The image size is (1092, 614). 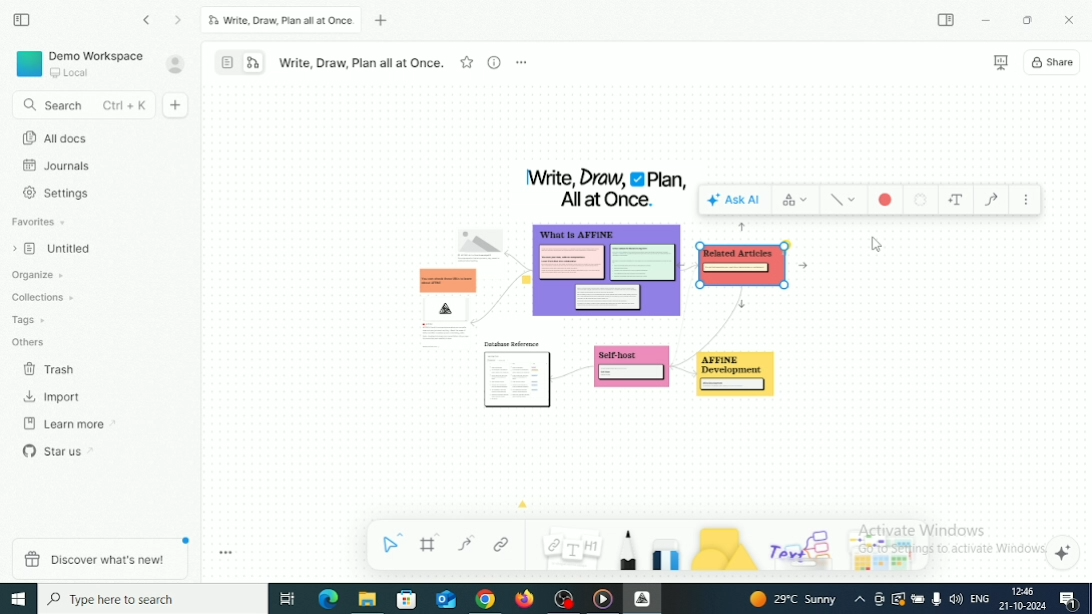 I want to click on Toggle Zoom Tool Bar, so click(x=227, y=553).